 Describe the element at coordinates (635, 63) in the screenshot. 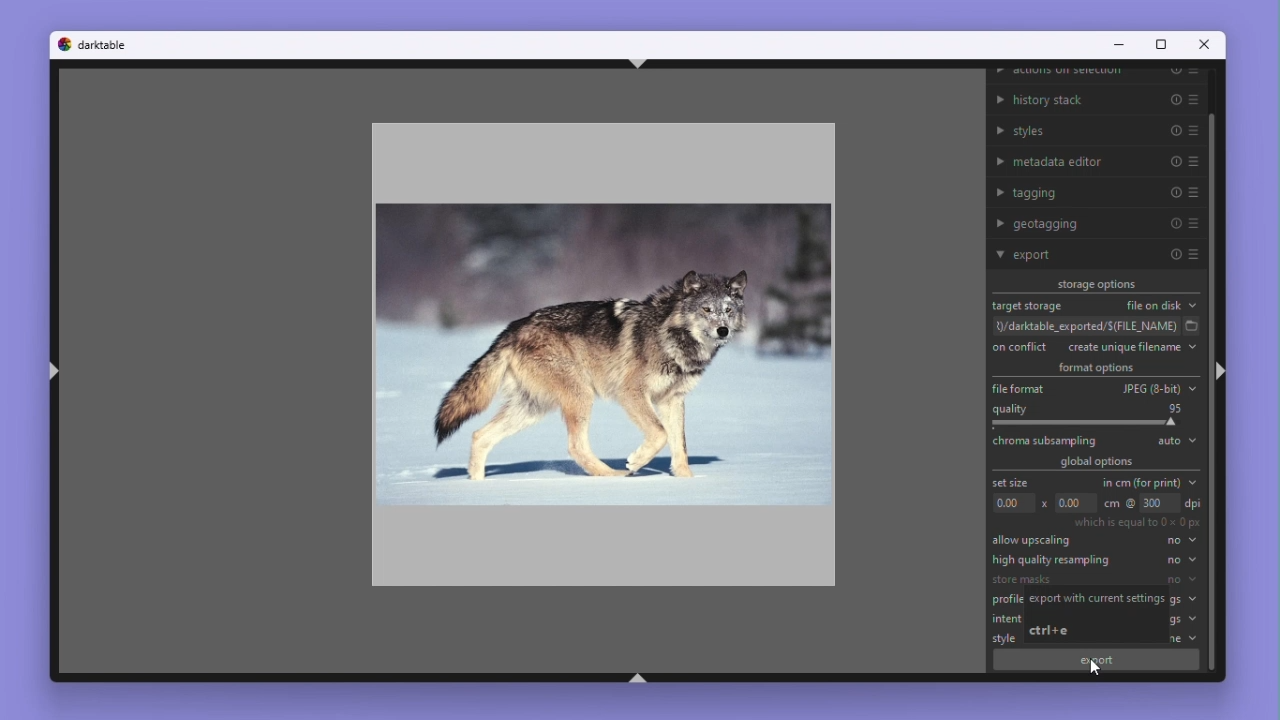

I see `ctrl+shift+t` at that location.